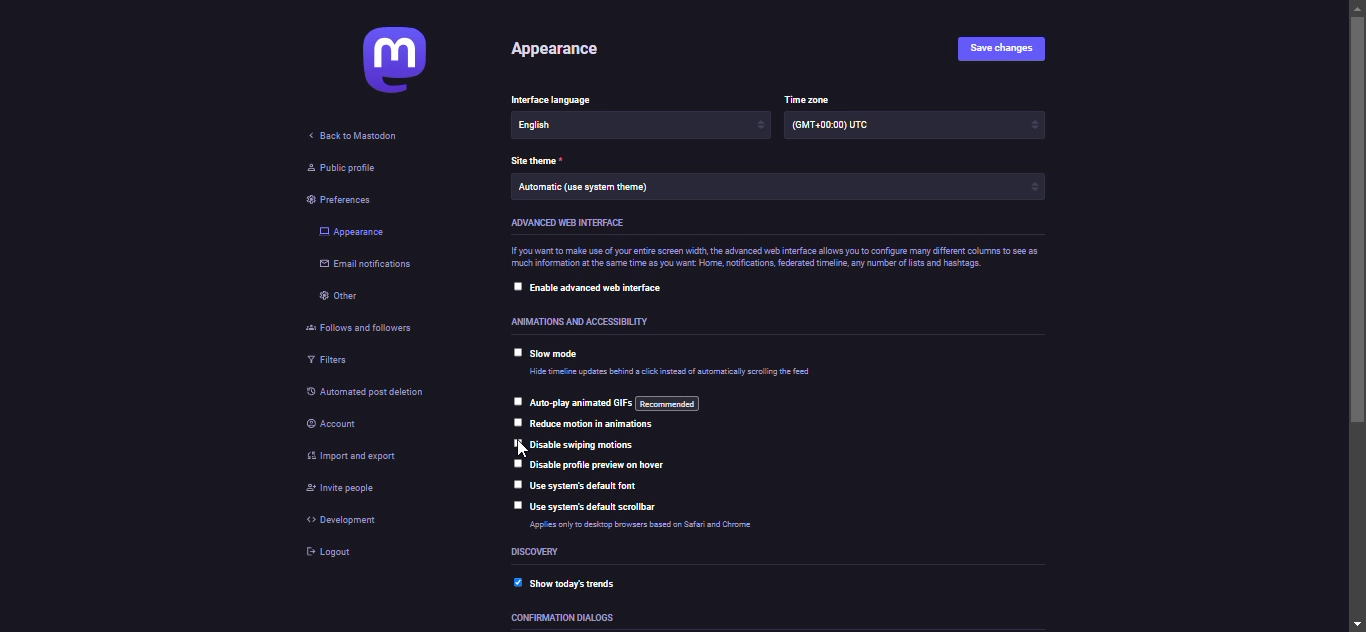 The height and width of the screenshot is (632, 1366). What do you see at coordinates (600, 464) in the screenshot?
I see `disable profile preview on hover` at bounding box center [600, 464].